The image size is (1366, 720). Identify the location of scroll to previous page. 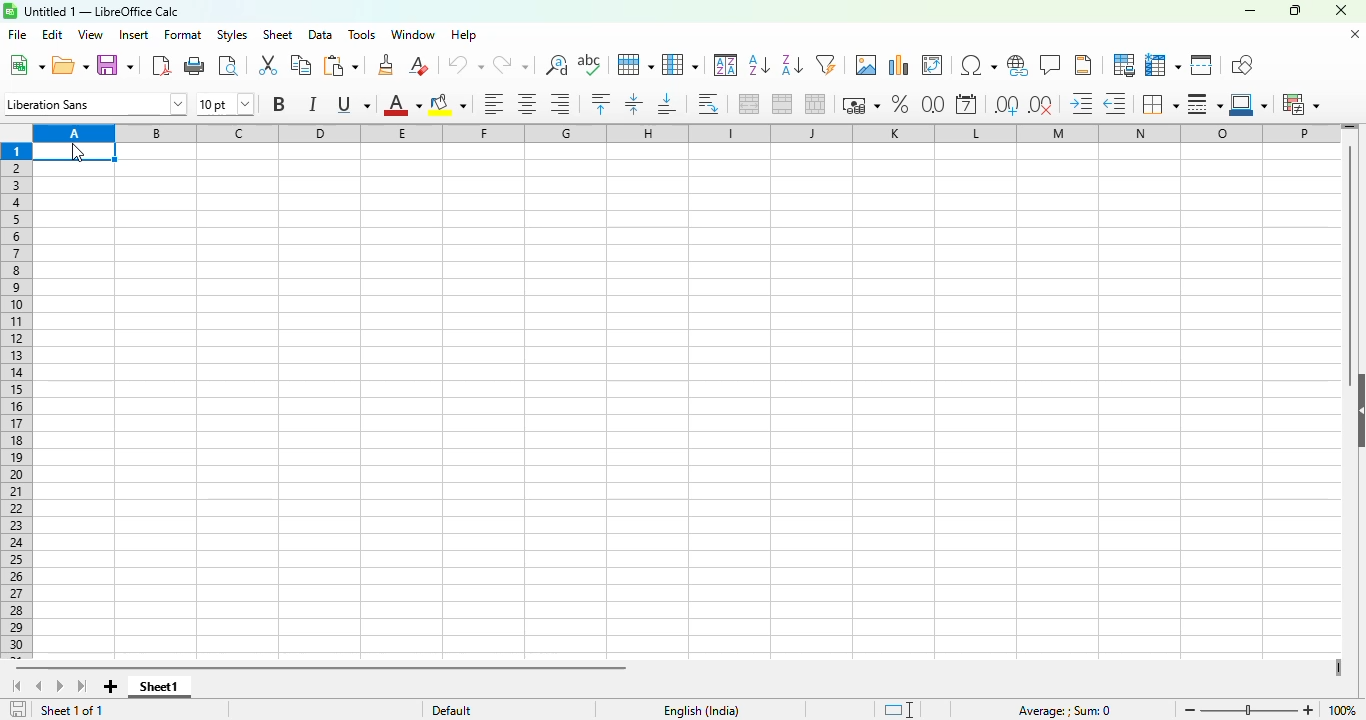
(38, 686).